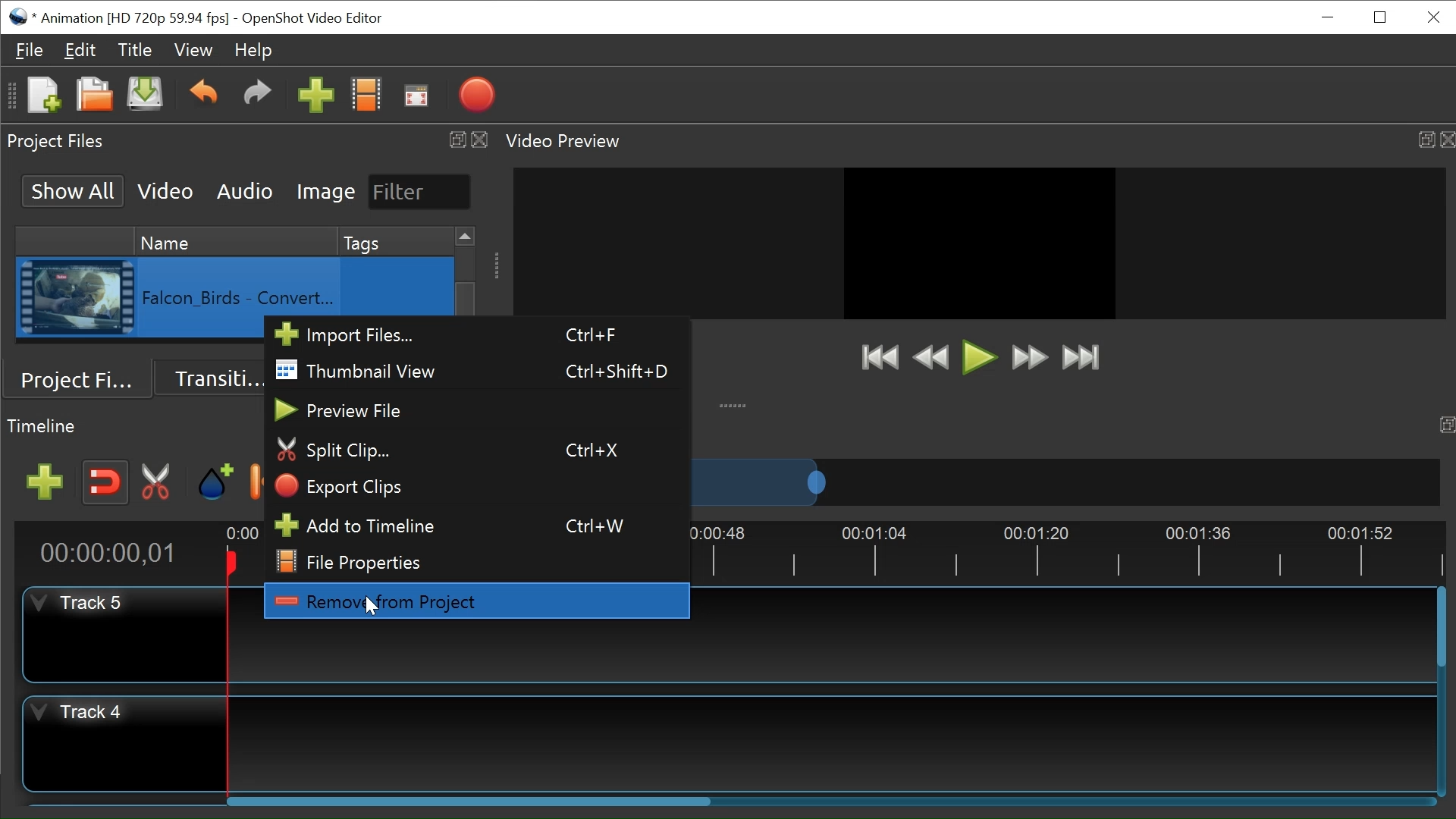 This screenshot has width=1456, height=819. What do you see at coordinates (480, 140) in the screenshot?
I see `Close` at bounding box center [480, 140].